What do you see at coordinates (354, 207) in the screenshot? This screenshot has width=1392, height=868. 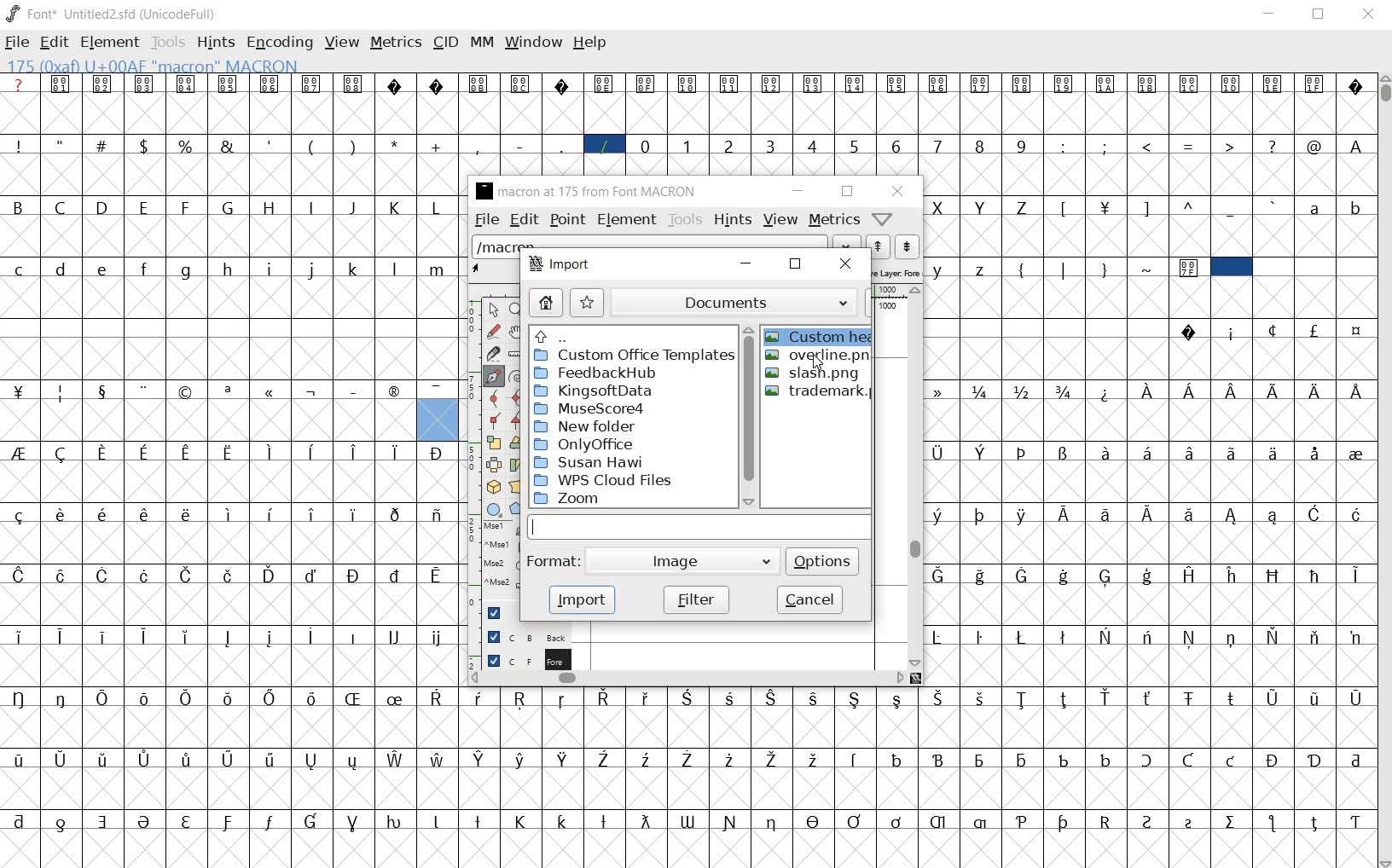 I see `J` at bounding box center [354, 207].